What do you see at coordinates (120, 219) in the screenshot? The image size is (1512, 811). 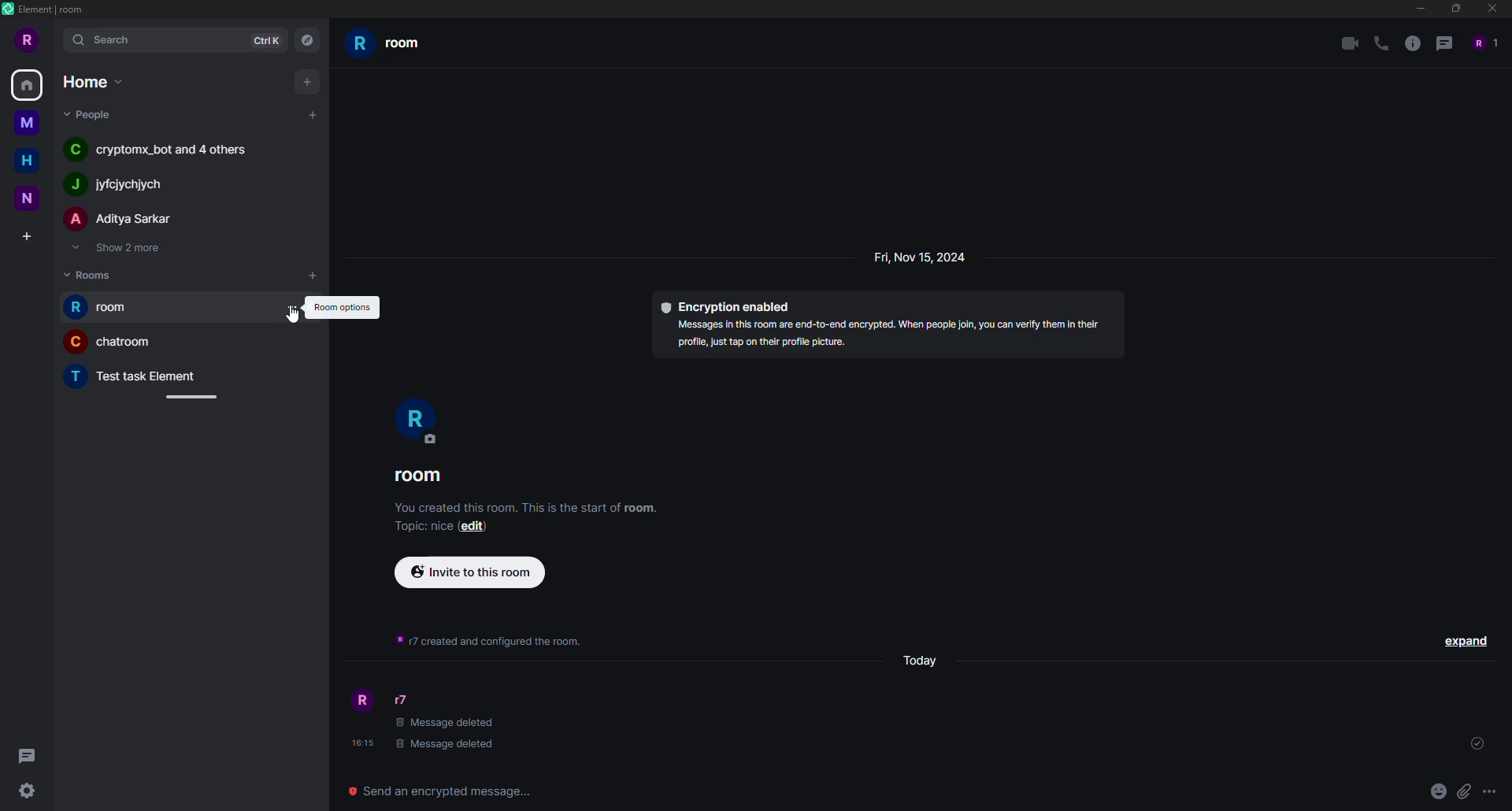 I see `A Aditya Sarkar` at bounding box center [120, 219].